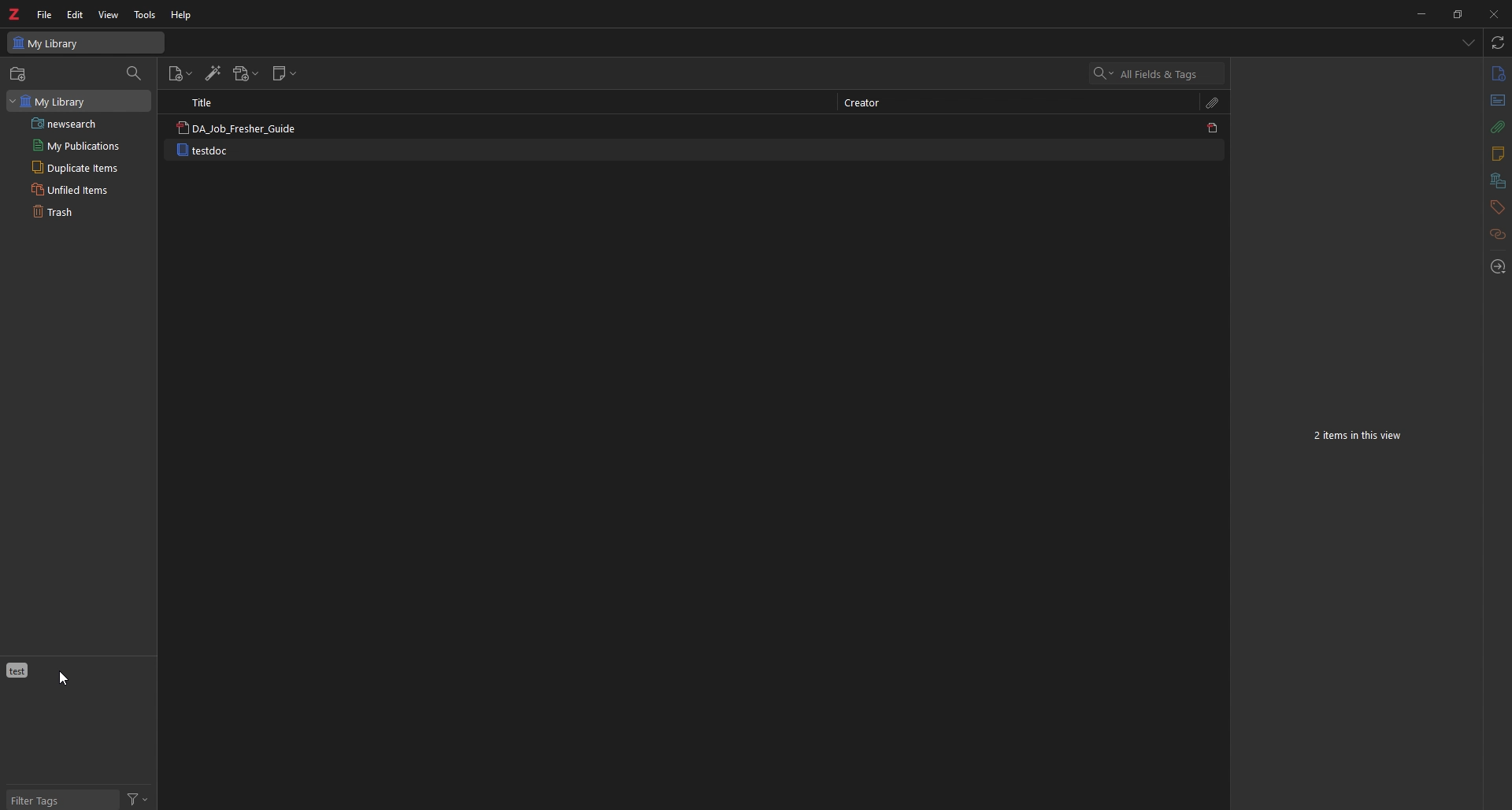 This screenshot has width=1512, height=810. What do you see at coordinates (1494, 13) in the screenshot?
I see `close` at bounding box center [1494, 13].